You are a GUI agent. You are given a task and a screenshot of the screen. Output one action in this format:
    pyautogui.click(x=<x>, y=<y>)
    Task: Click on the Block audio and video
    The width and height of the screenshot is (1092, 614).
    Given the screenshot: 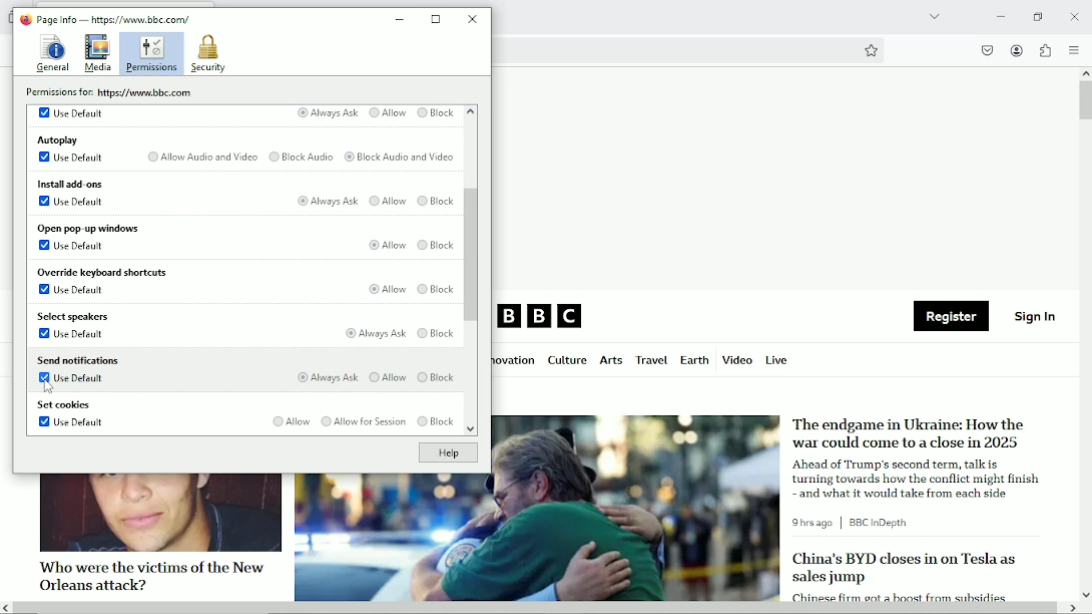 What is the action you would take?
    pyautogui.click(x=399, y=158)
    